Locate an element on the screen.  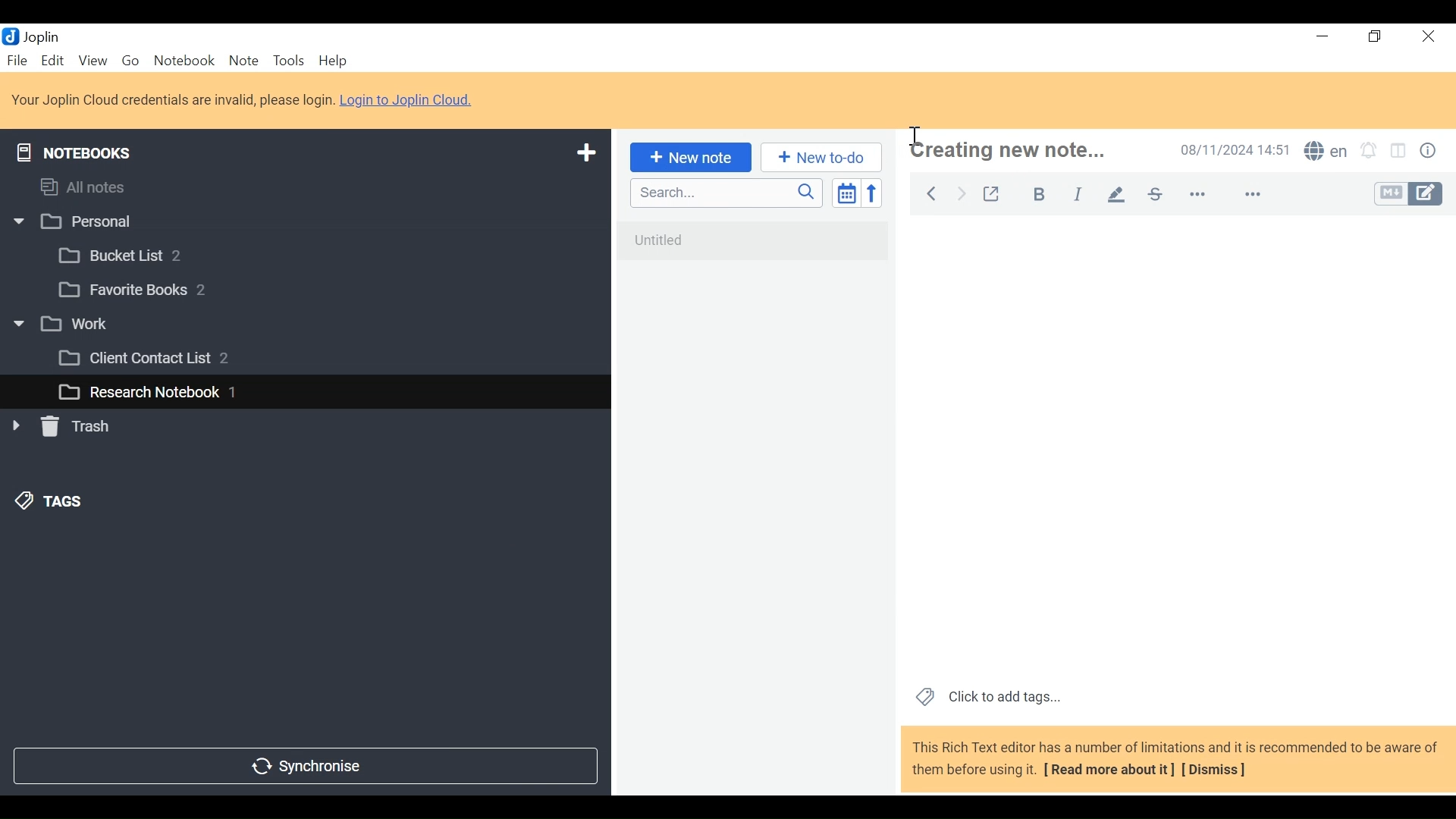
File is located at coordinates (19, 60).